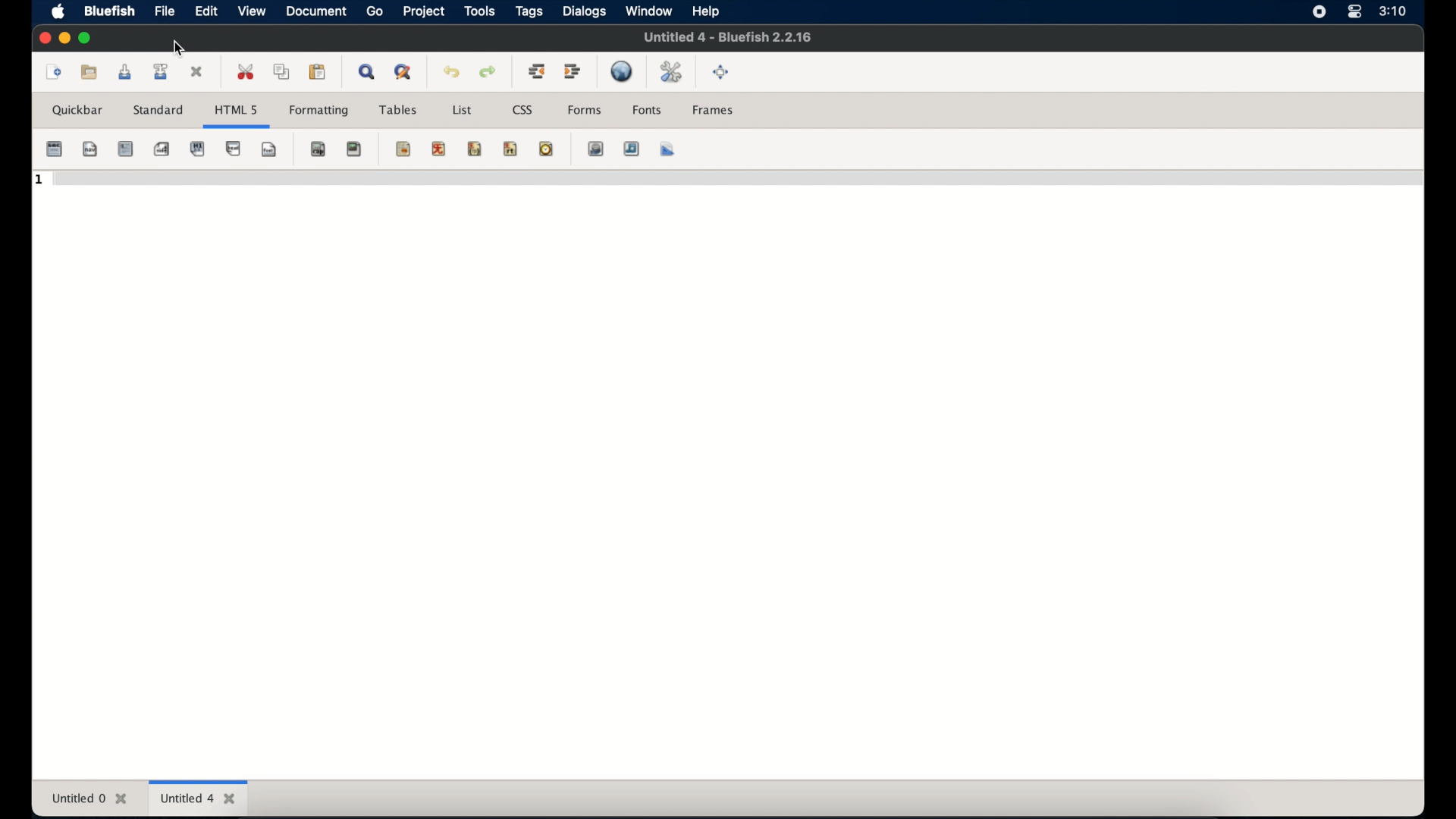 The image size is (1456, 819). What do you see at coordinates (107, 11) in the screenshot?
I see `bluefish` at bounding box center [107, 11].